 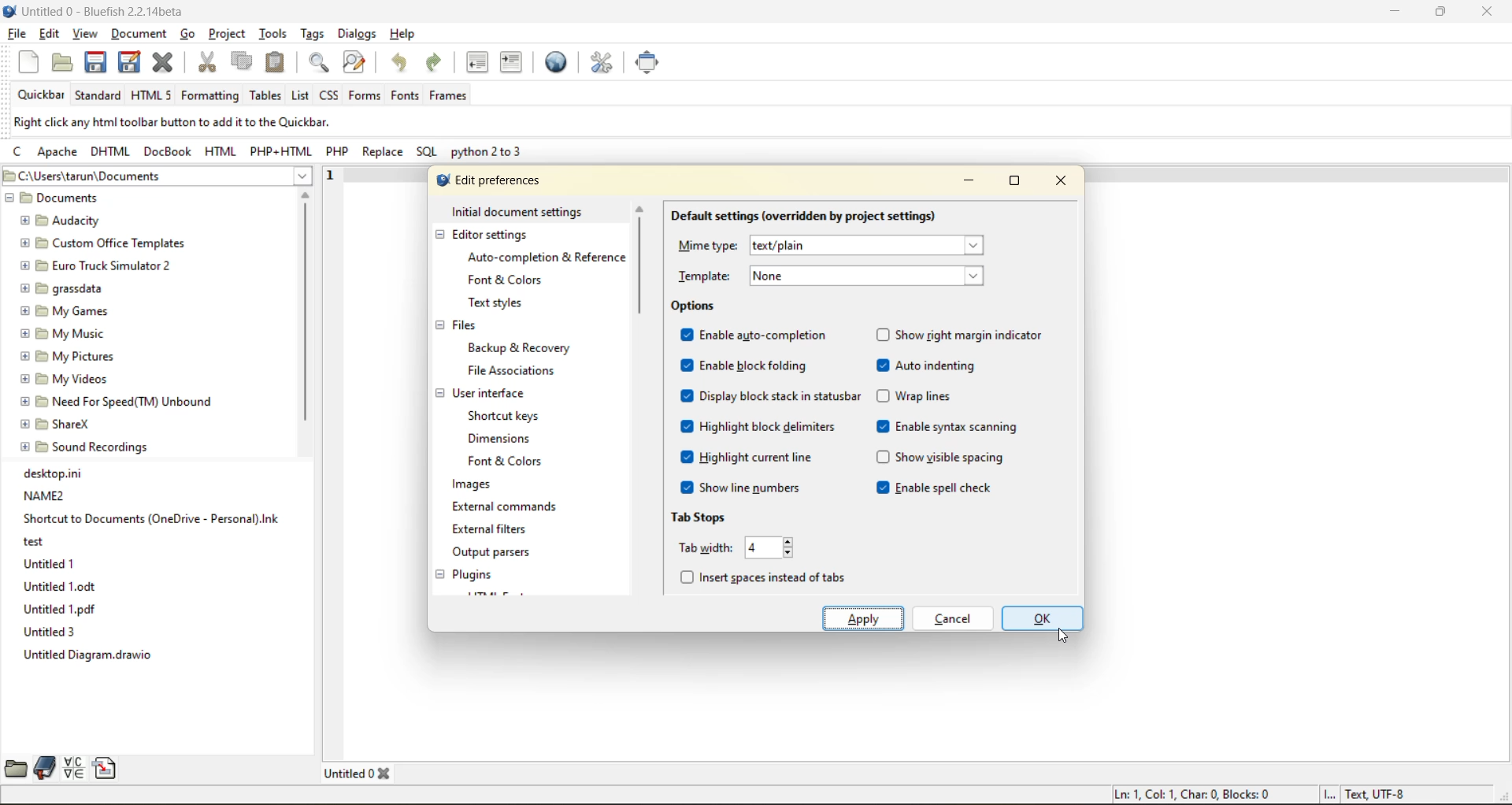 I want to click on open, so click(x=61, y=63).